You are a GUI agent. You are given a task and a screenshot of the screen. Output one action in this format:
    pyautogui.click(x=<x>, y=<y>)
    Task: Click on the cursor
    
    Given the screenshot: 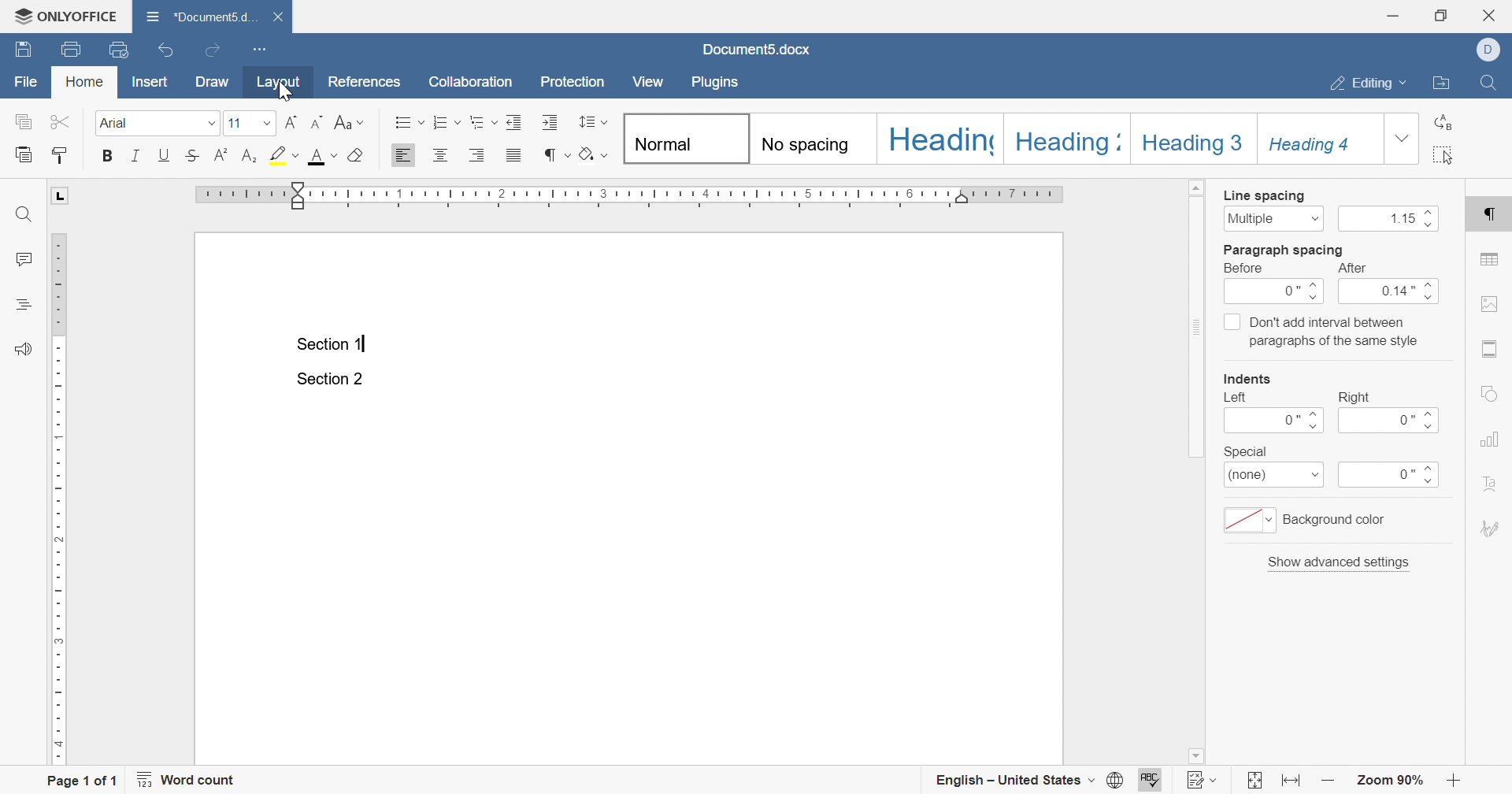 What is the action you would take?
    pyautogui.click(x=287, y=90)
    